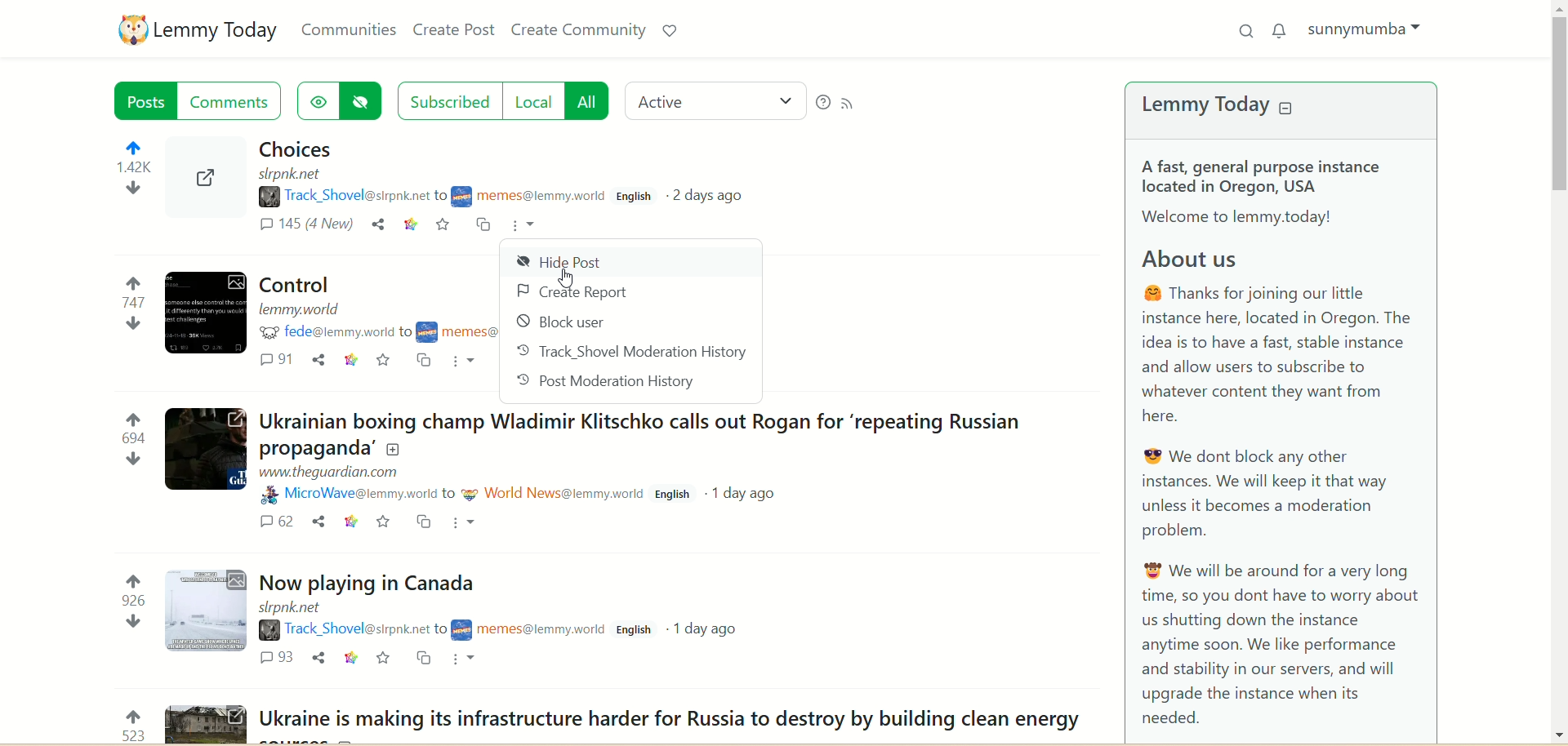 Image resolution: width=1568 pixels, height=746 pixels. What do you see at coordinates (318, 656) in the screenshot?
I see `share` at bounding box center [318, 656].